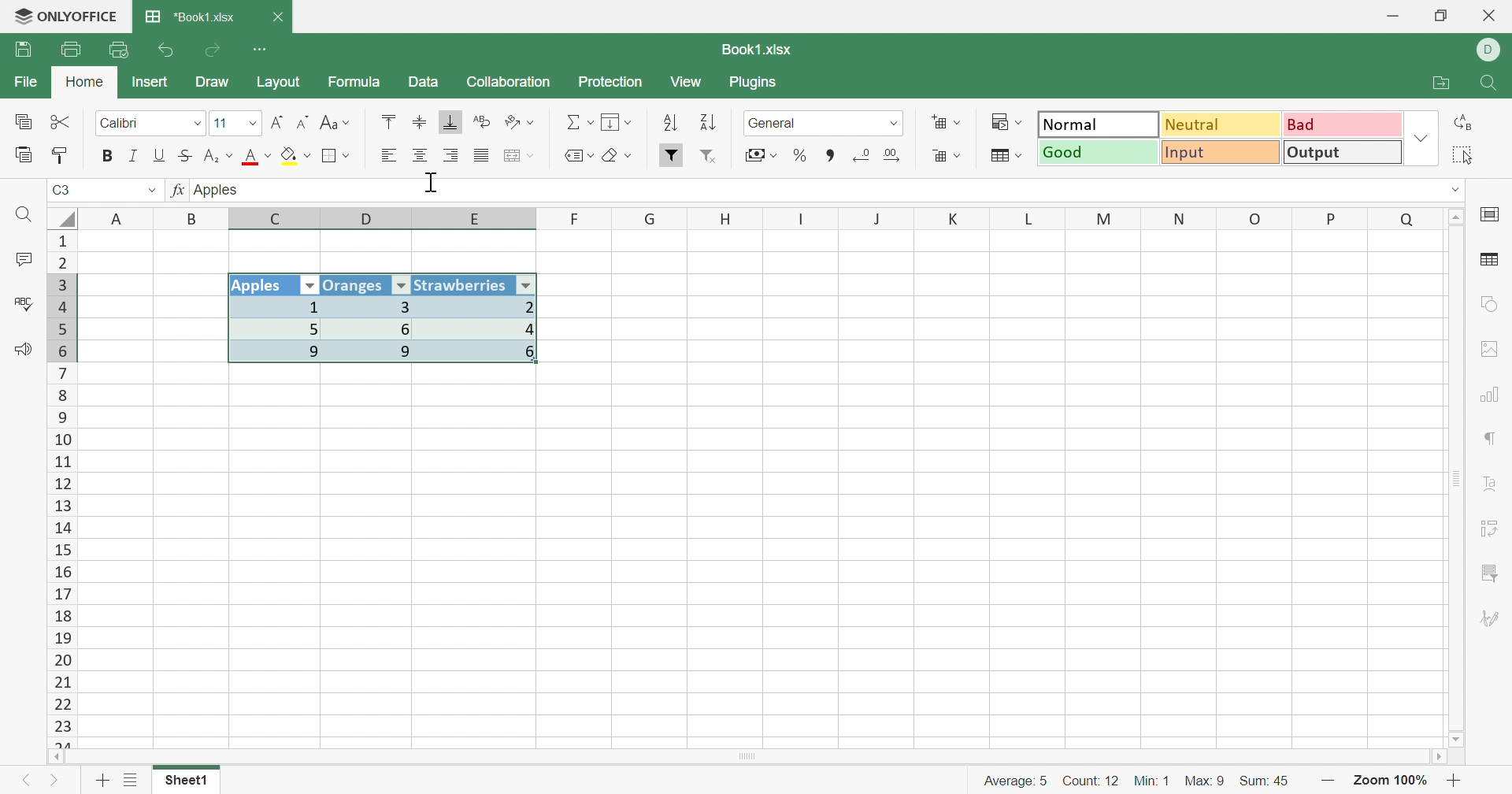 This screenshot has width=1512, height=794. I want to click on Fill, so click(618, 123).